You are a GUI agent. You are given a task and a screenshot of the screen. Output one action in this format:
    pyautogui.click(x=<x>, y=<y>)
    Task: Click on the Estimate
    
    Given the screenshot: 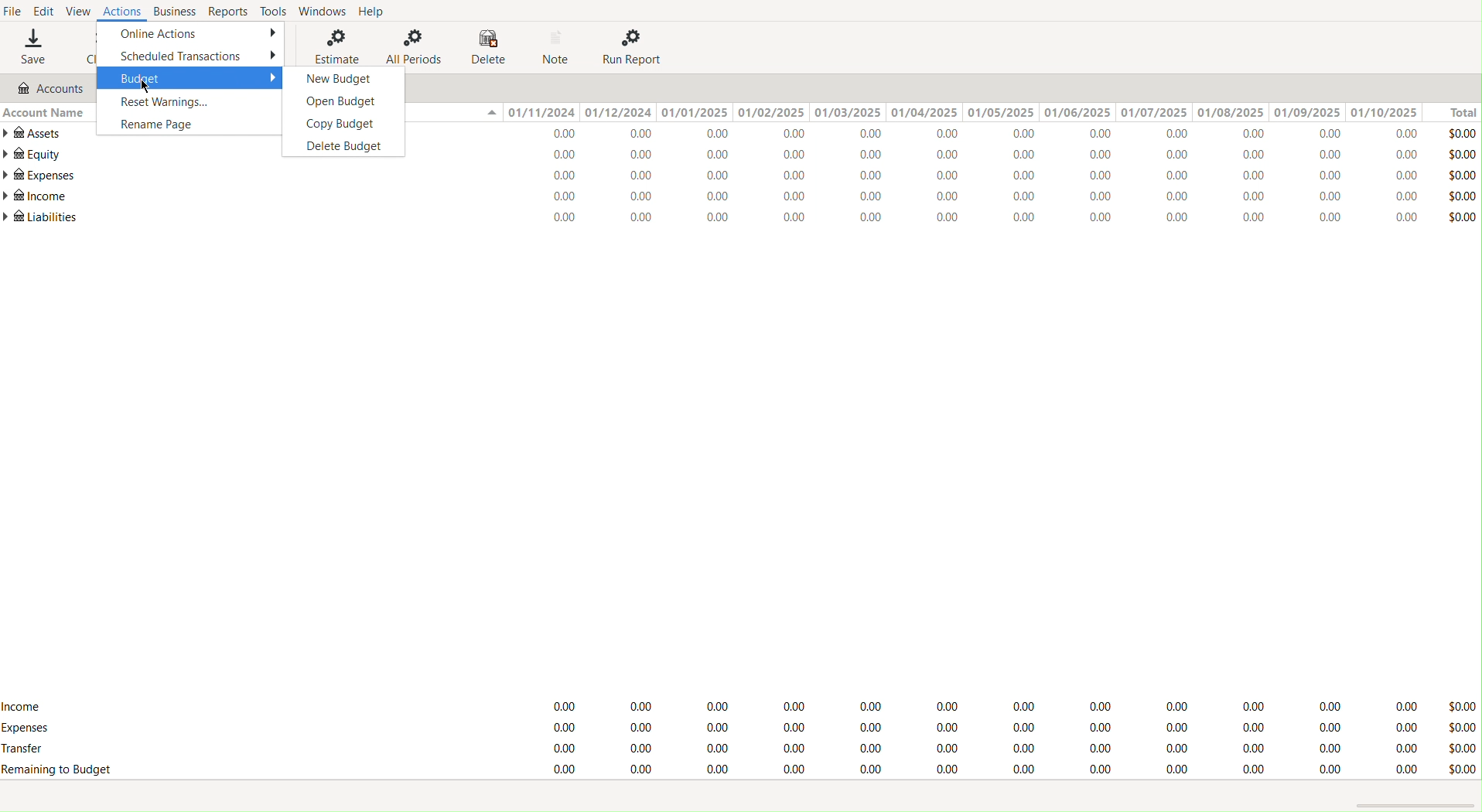 What is the action you would take?
    pyautogui.click(x=333, y=45)
    